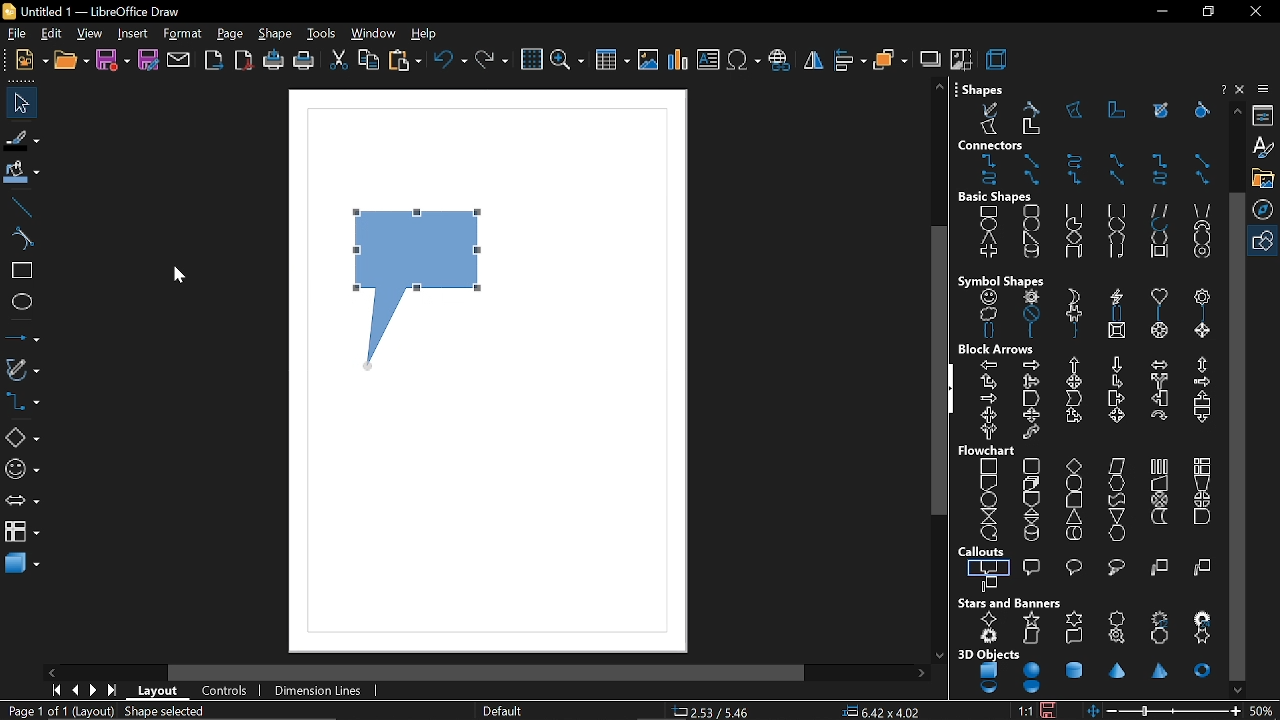 The height and width of the screenshot is (720, 1280). What do you see at coordinates (1237, 111) in the screenshot?
I see `move up` at bounding box center [1237, 111].